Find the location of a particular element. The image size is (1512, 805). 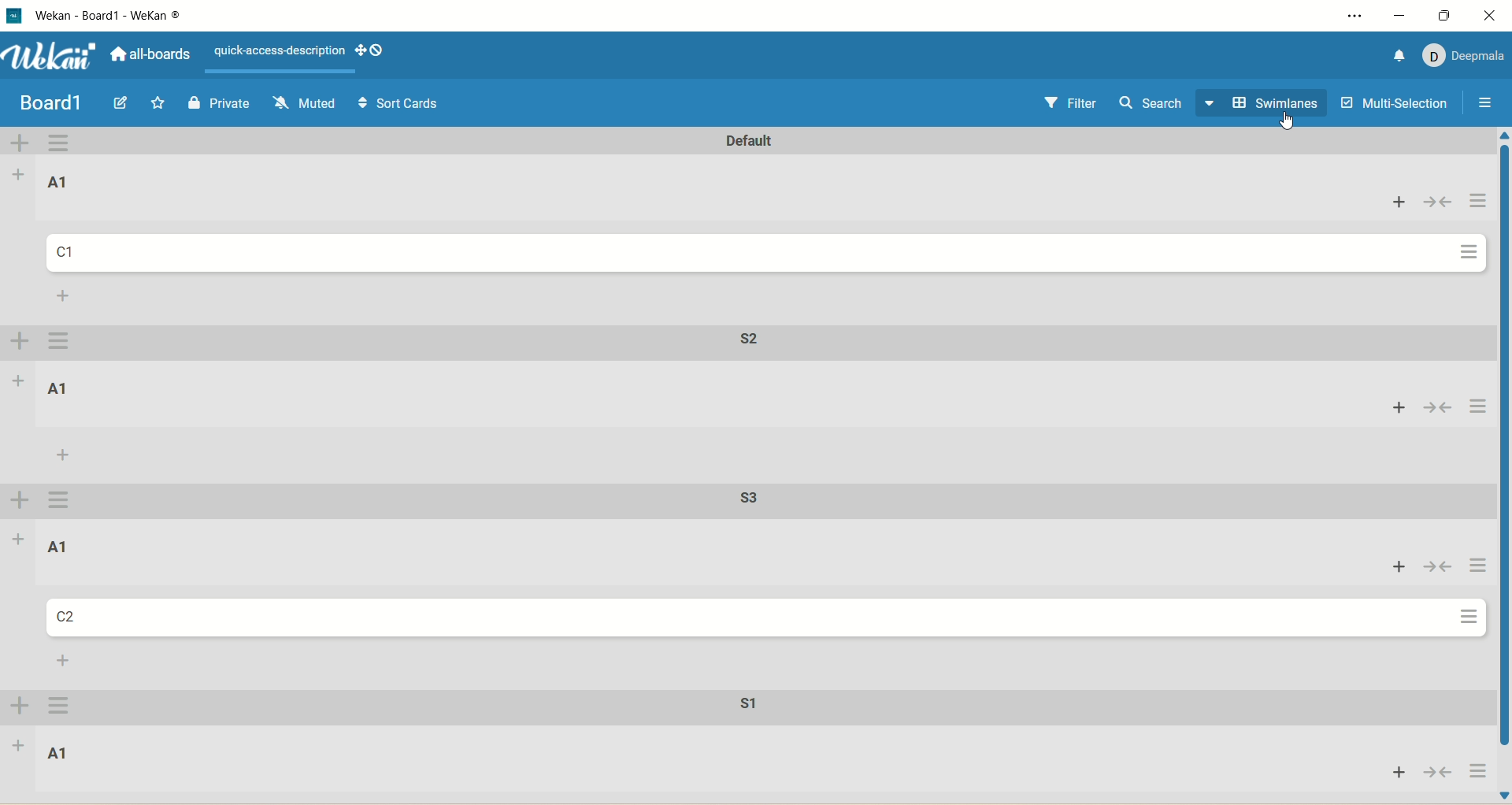

add swimlane is located at coordinates (18, 343).